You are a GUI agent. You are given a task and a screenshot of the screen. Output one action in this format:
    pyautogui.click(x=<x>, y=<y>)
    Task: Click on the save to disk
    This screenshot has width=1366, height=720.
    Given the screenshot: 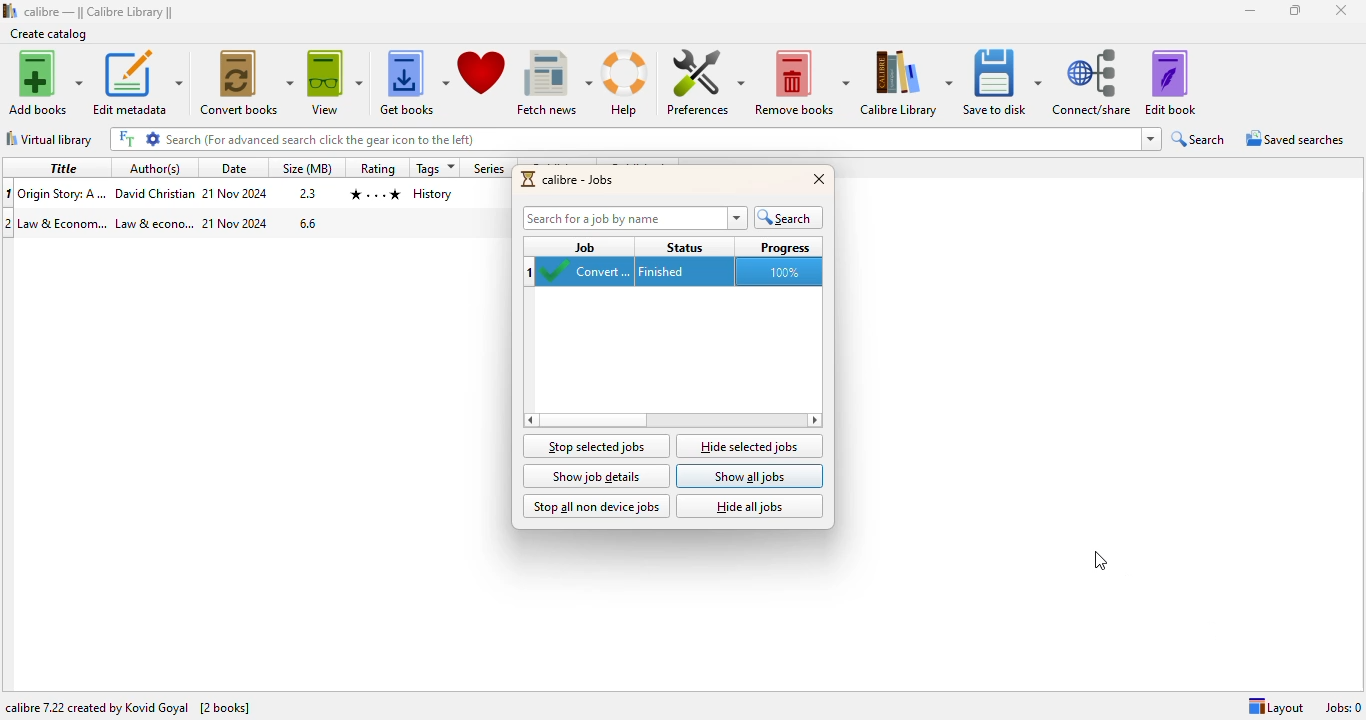 What is the action you would take?
    pyautogui.click(x=1004, y=83)
    